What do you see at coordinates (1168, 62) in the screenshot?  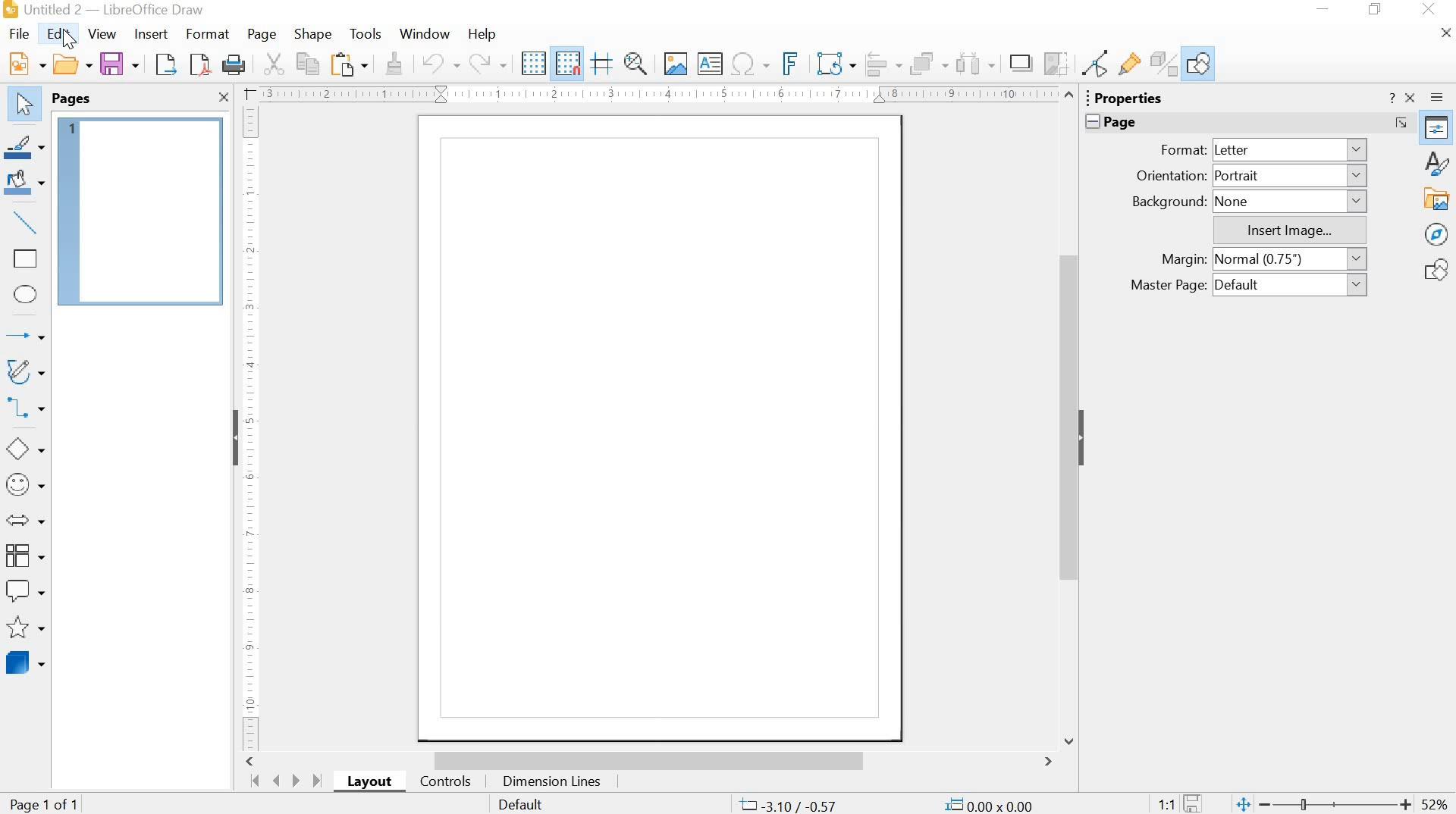 I see `Toggle Extrusion` at bounding box center [1168, 62].